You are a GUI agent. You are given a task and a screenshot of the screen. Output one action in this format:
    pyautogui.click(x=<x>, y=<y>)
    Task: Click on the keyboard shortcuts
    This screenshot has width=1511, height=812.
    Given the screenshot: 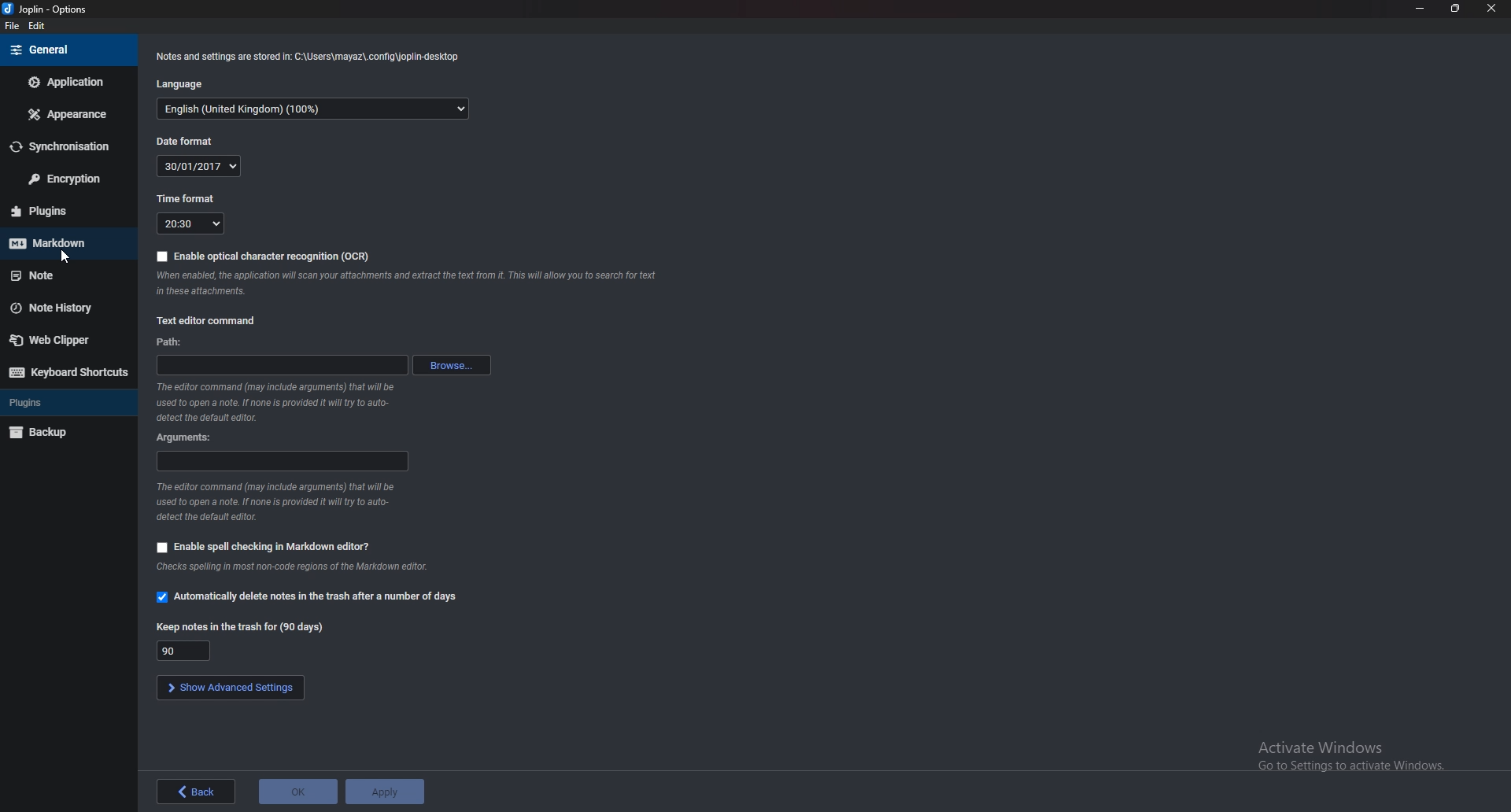 What is the action you would take?
    pyautogui.click(x=68, y=371)
    